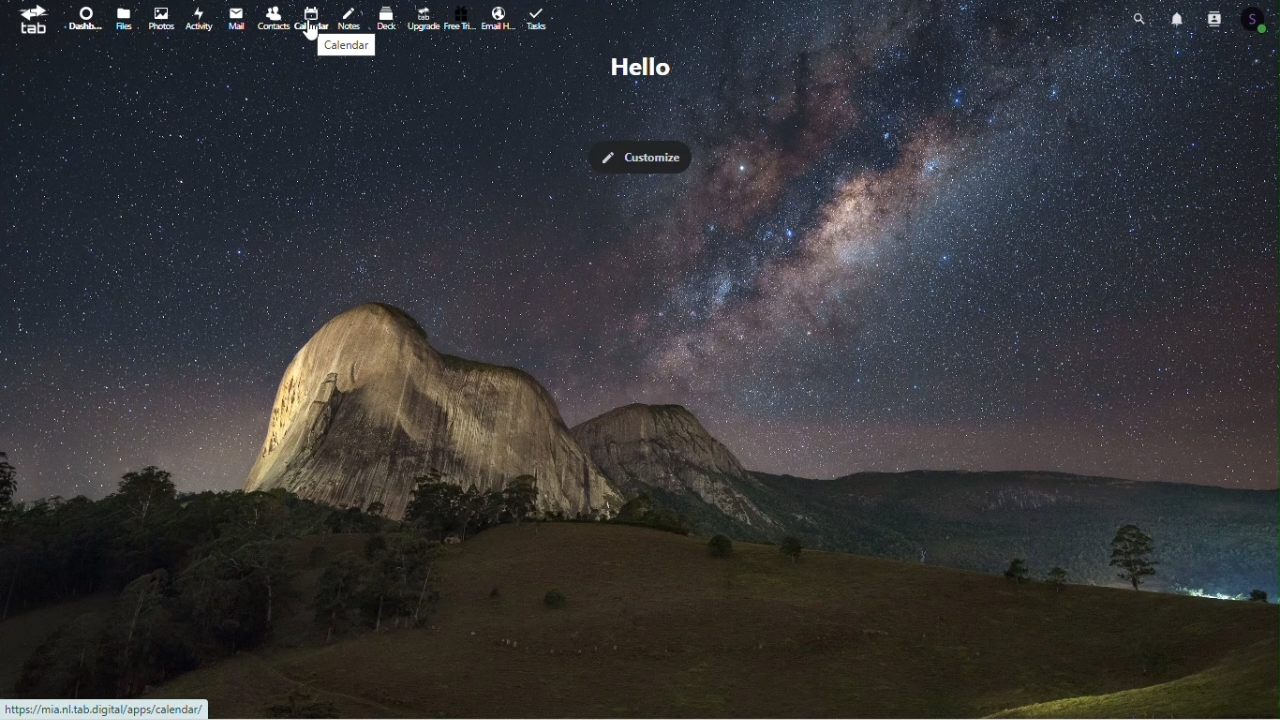 Image resolution: width=1280 pixels, height=720 pixels. Describe the element at coordinates (1174, 21) in the screenshot. I see `notifications` at that location.